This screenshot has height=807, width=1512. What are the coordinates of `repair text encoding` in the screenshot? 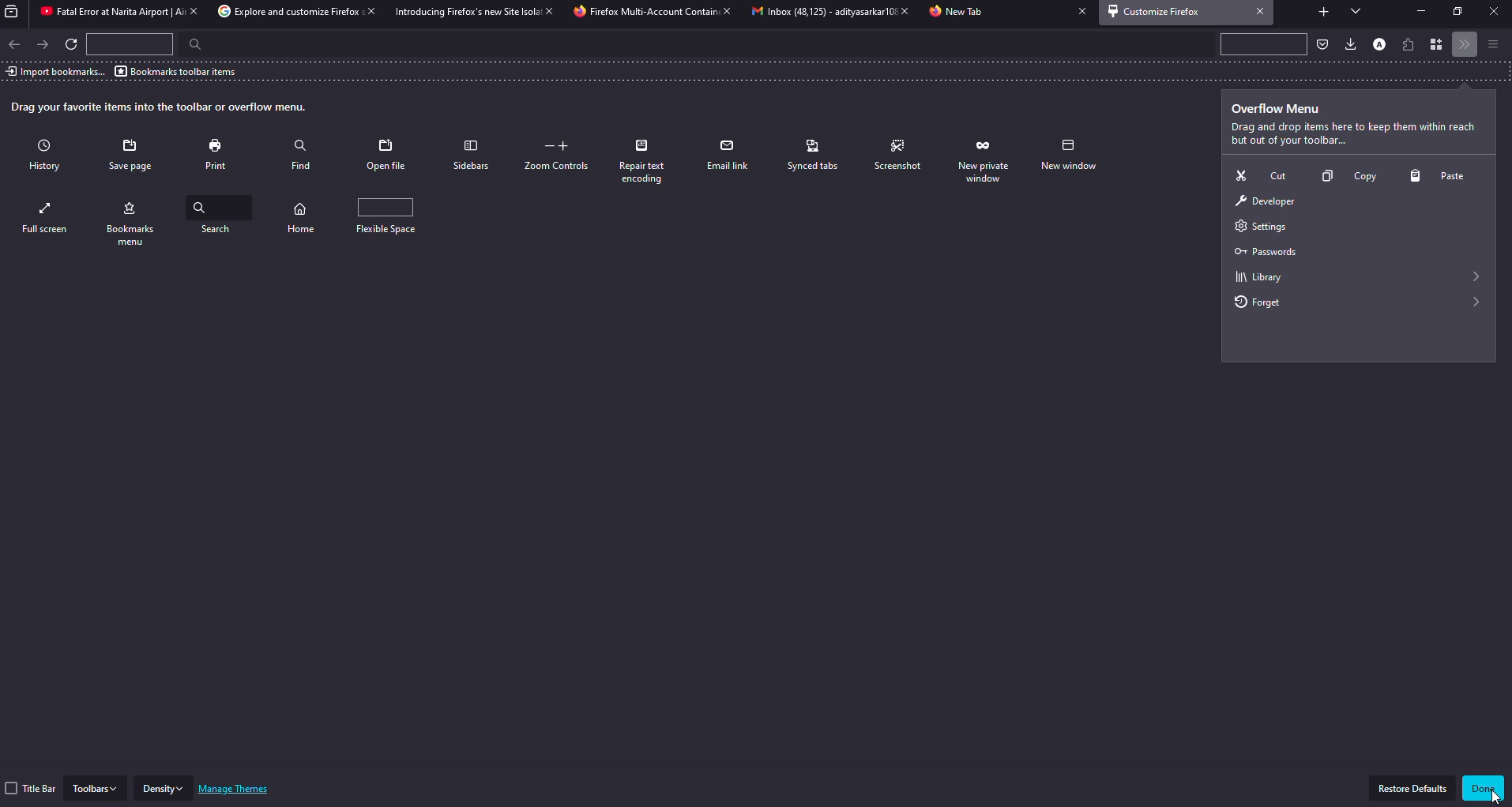 It's located at (648, 161).